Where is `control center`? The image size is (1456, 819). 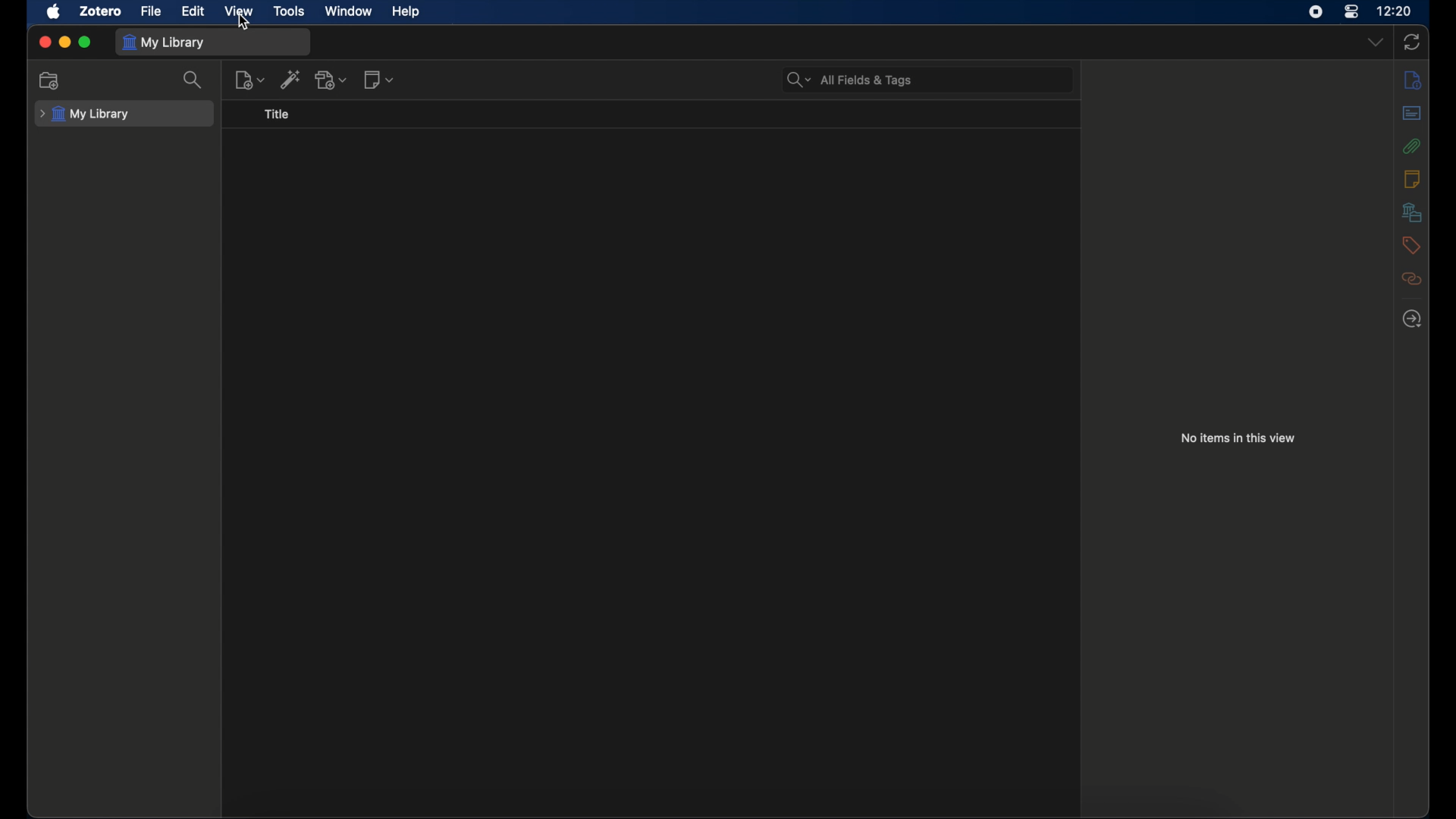
control center is located at coordinates (1352, 11).